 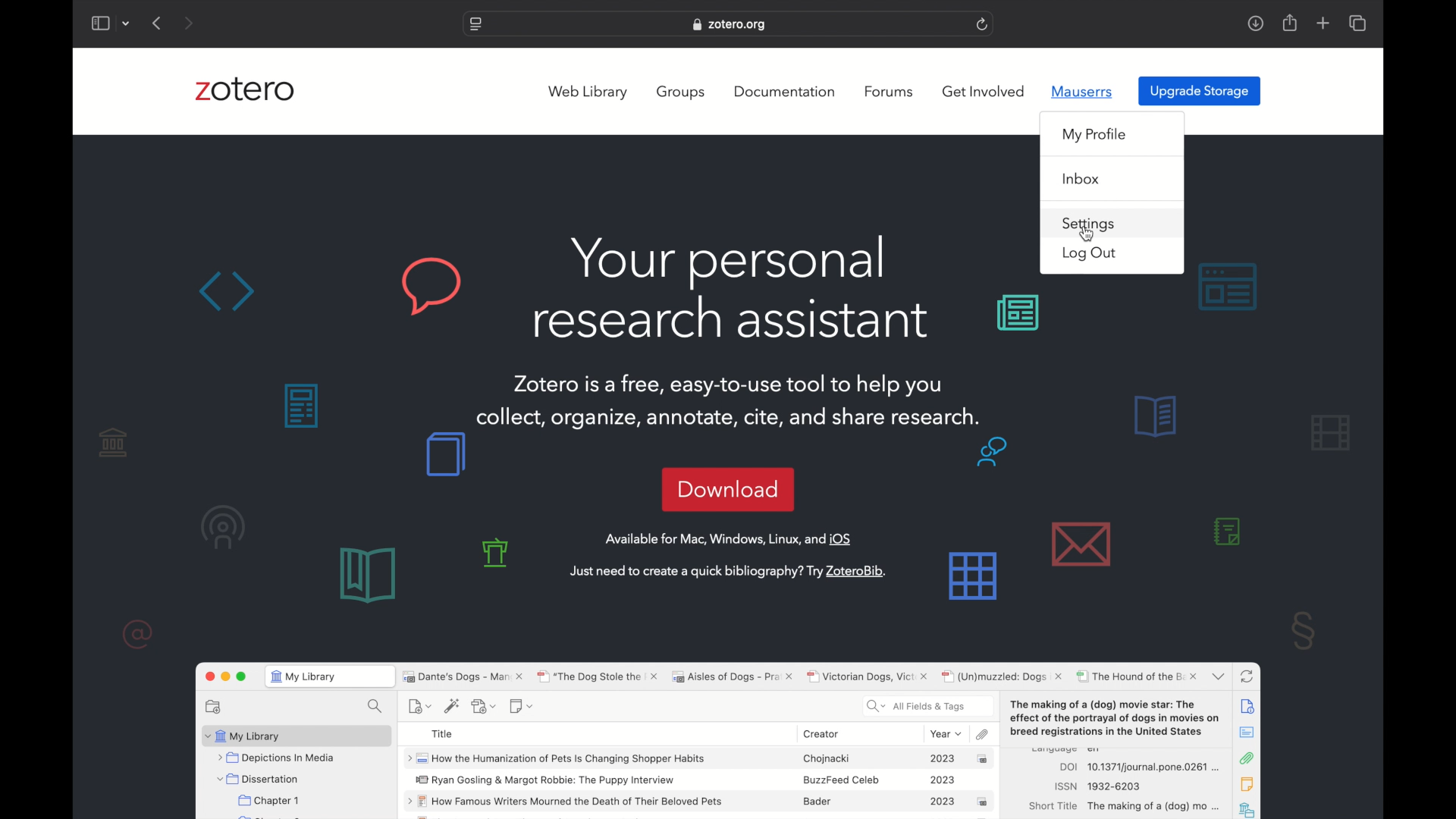 What do you see at coordinates (983, 92) in the screenshot?
I see `get involved` at bounding box center [983, 92].